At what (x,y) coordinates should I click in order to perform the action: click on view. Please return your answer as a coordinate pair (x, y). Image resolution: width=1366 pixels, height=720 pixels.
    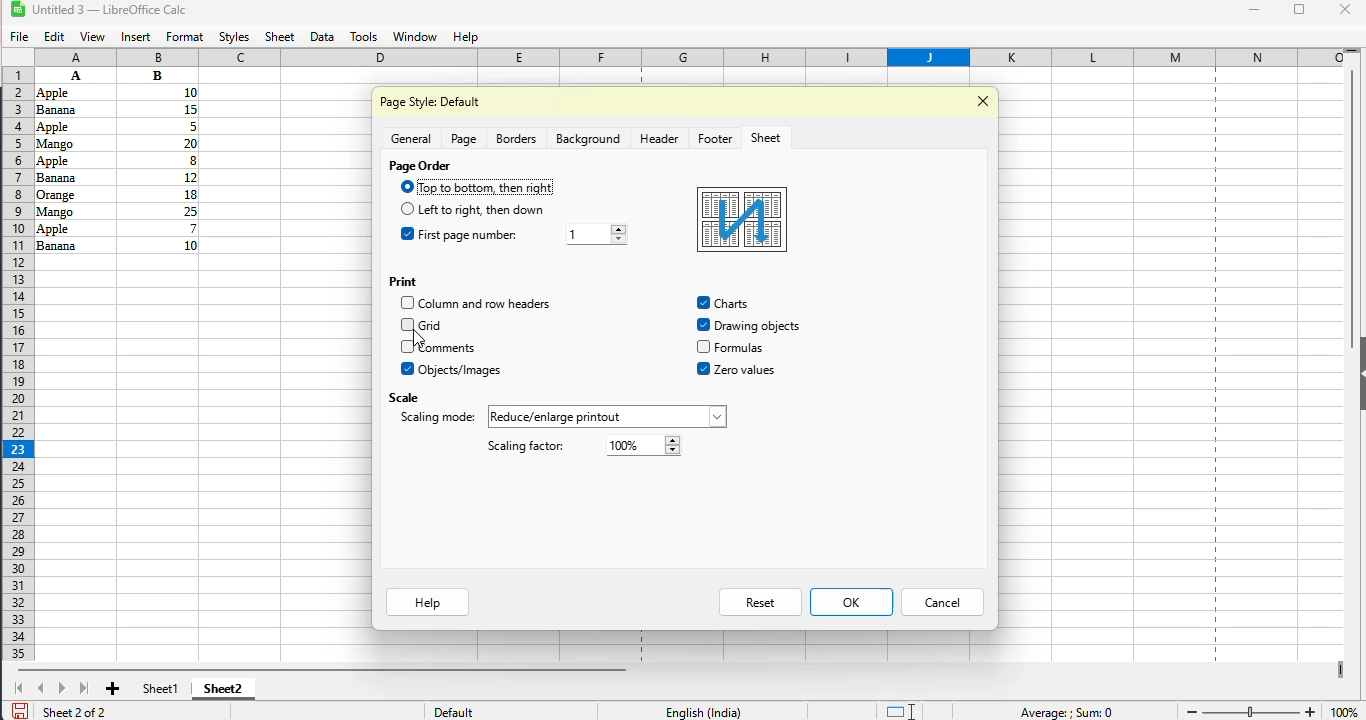
    Looking at the image, I should click on (92, 37).